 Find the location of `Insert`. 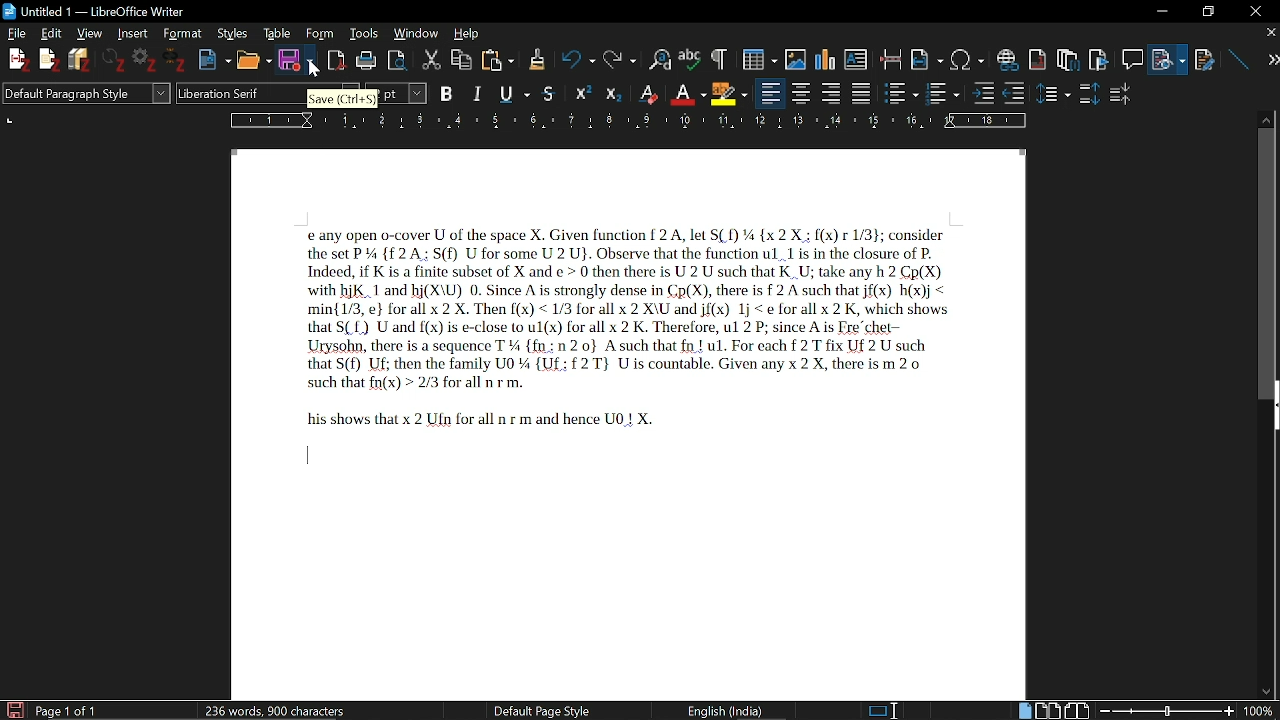

Insert is located at coordinates (131, 34).